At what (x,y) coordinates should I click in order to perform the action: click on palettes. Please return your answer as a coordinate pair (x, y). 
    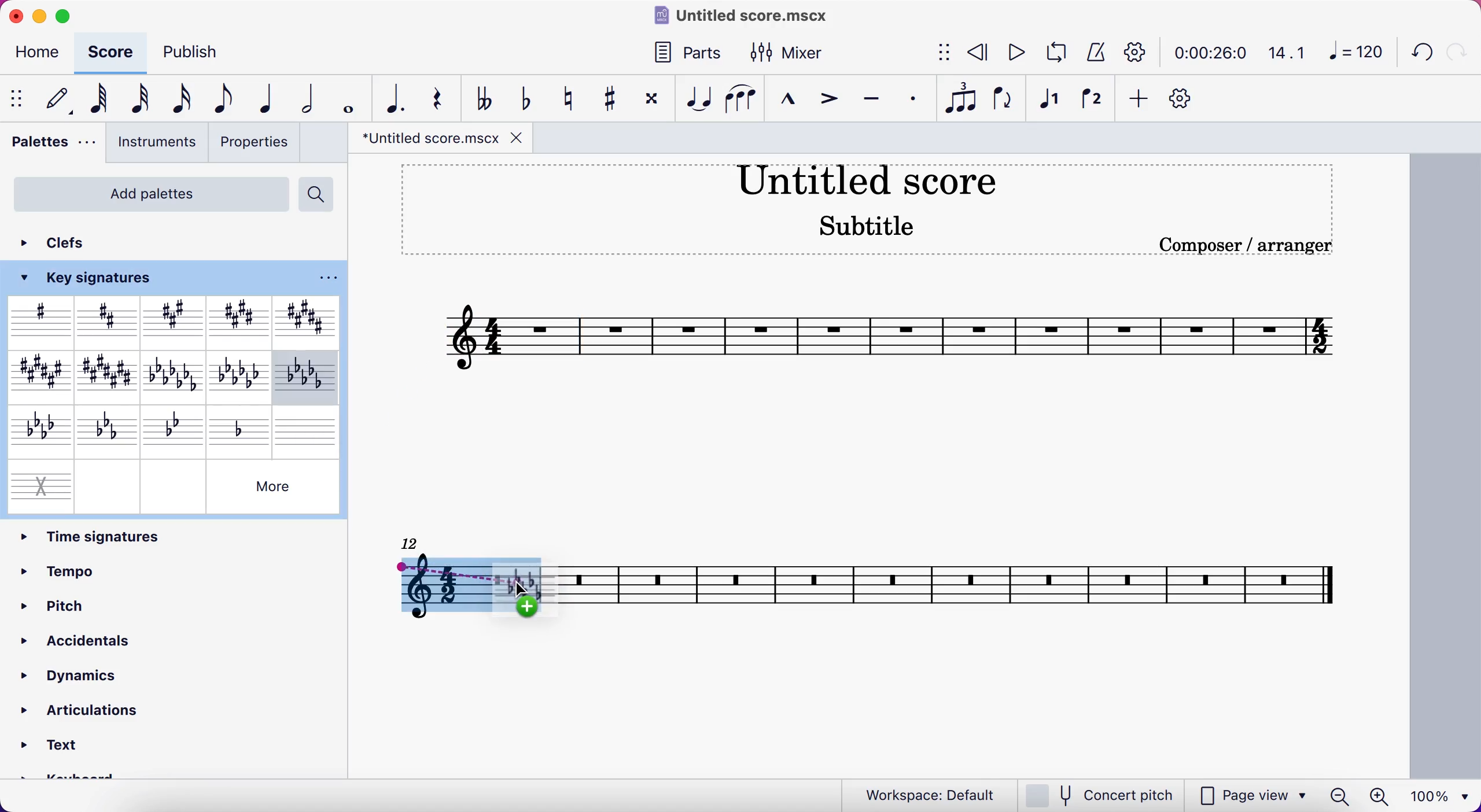
    Looking at the image, I should click on (52, 149).